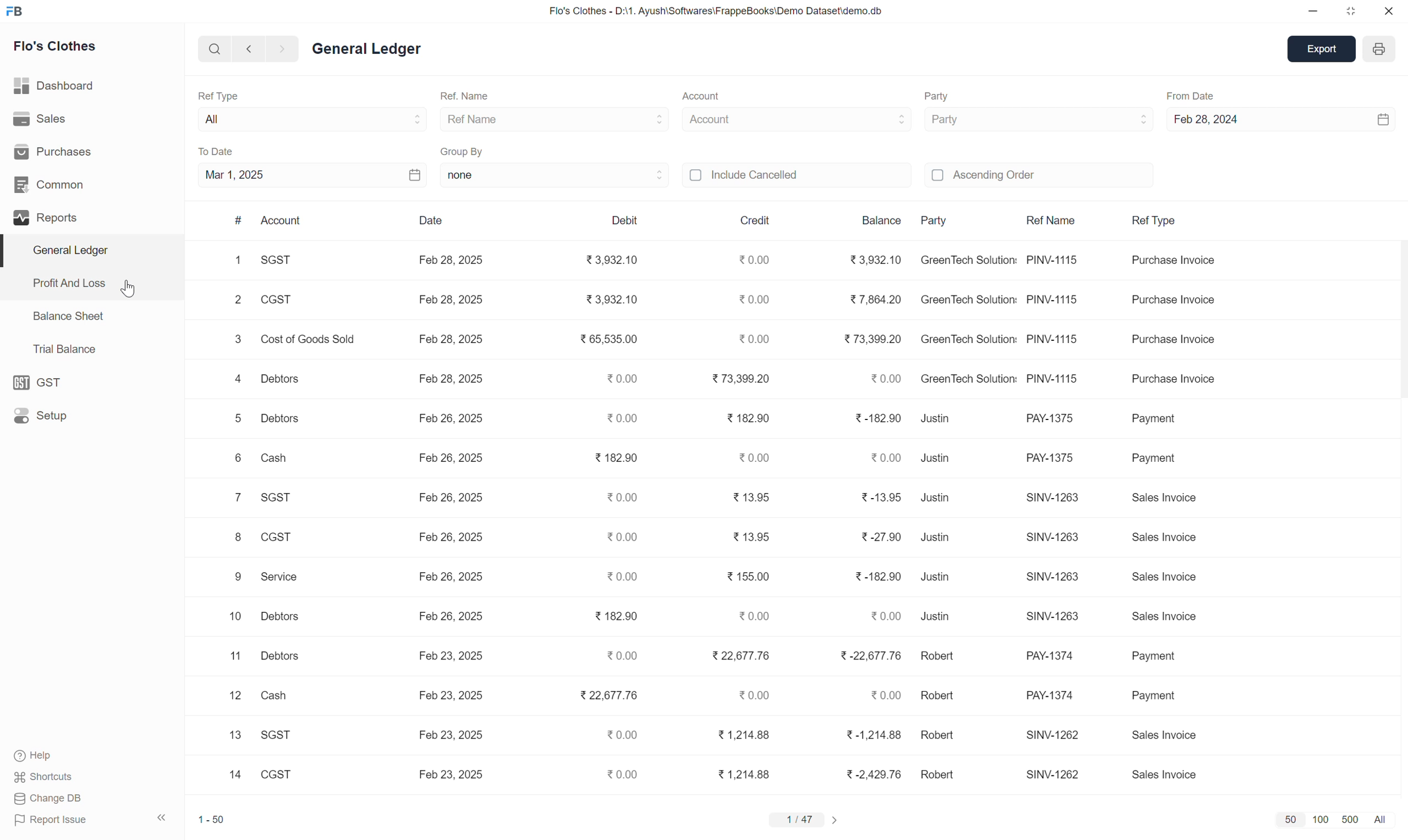 The image size is (1408, 840). I want to click on Setup, so click(48, 413).